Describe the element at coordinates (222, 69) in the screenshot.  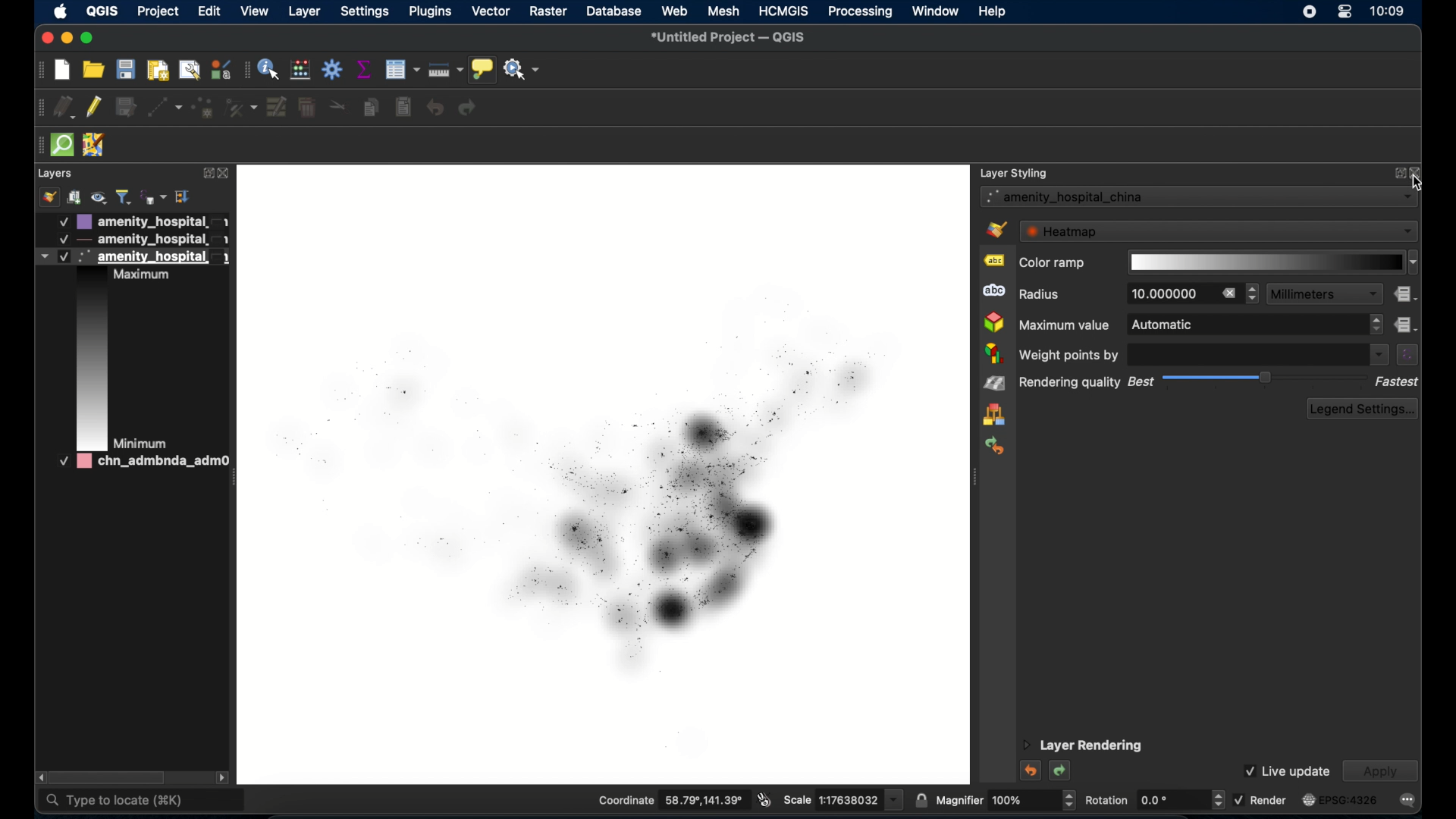
I see `style manager` at that location.